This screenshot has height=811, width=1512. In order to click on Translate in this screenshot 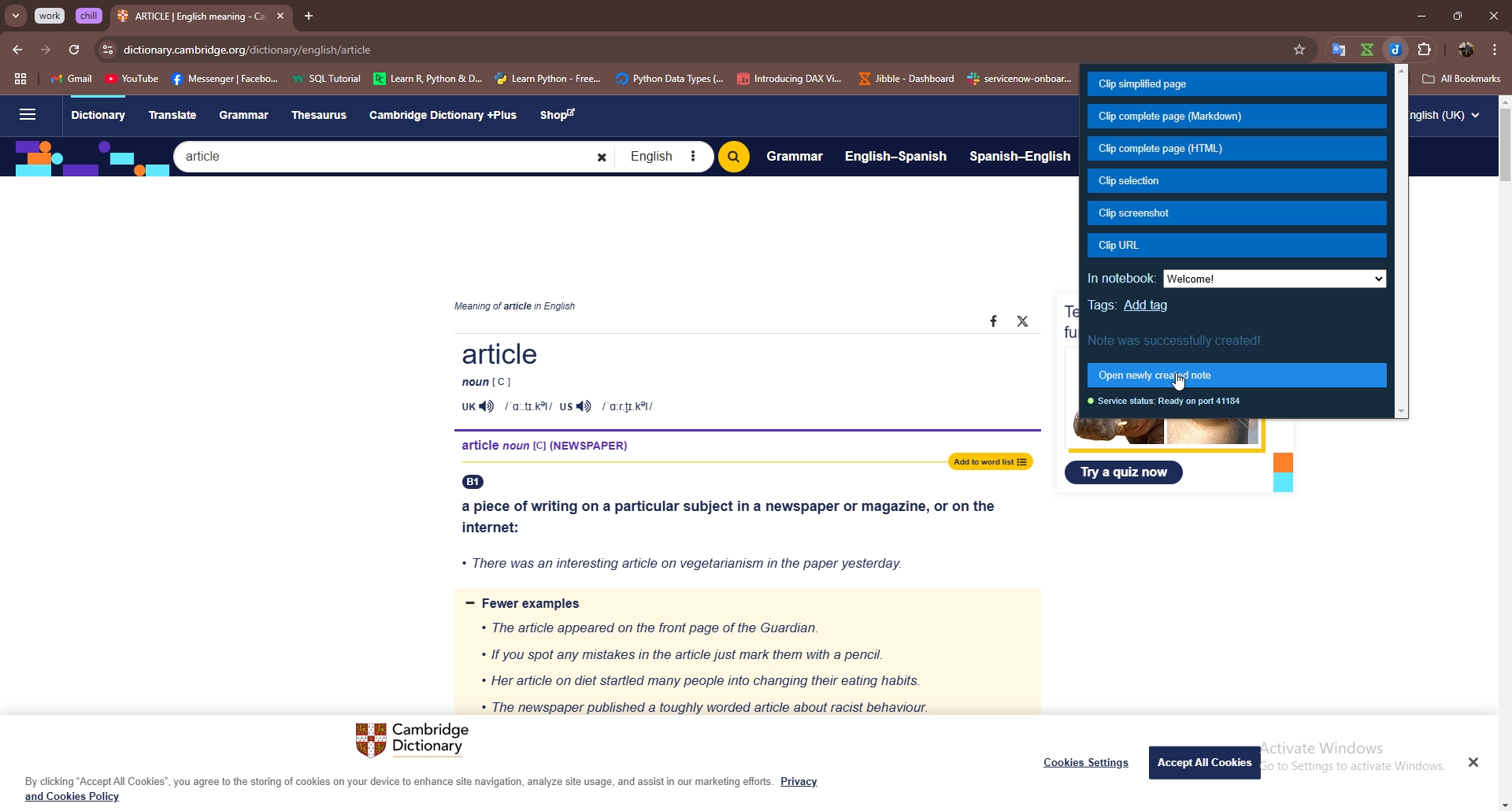, I will do `click(172, 113)`.